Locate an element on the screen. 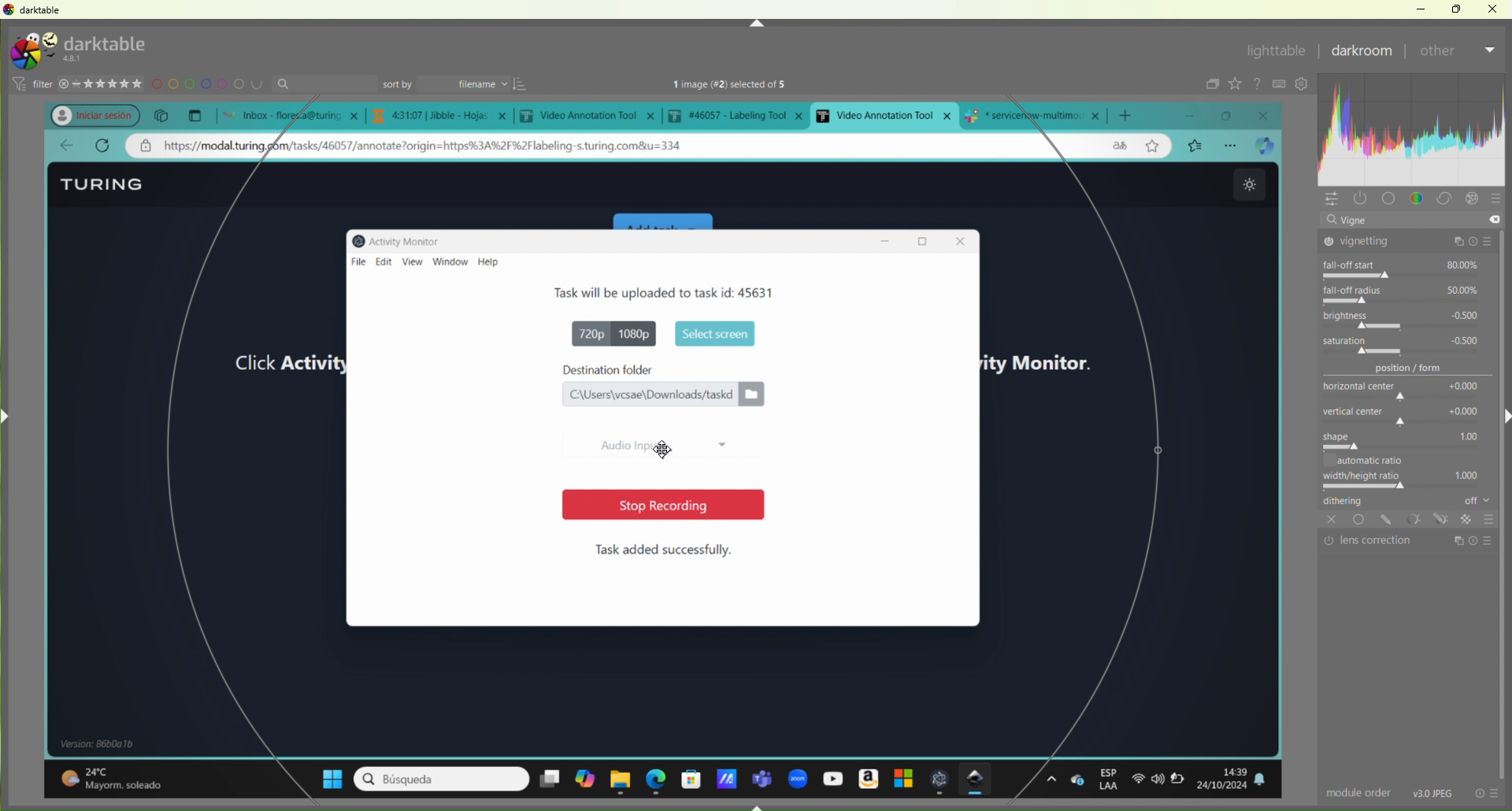  Turing is located at coordinates (106, 183).